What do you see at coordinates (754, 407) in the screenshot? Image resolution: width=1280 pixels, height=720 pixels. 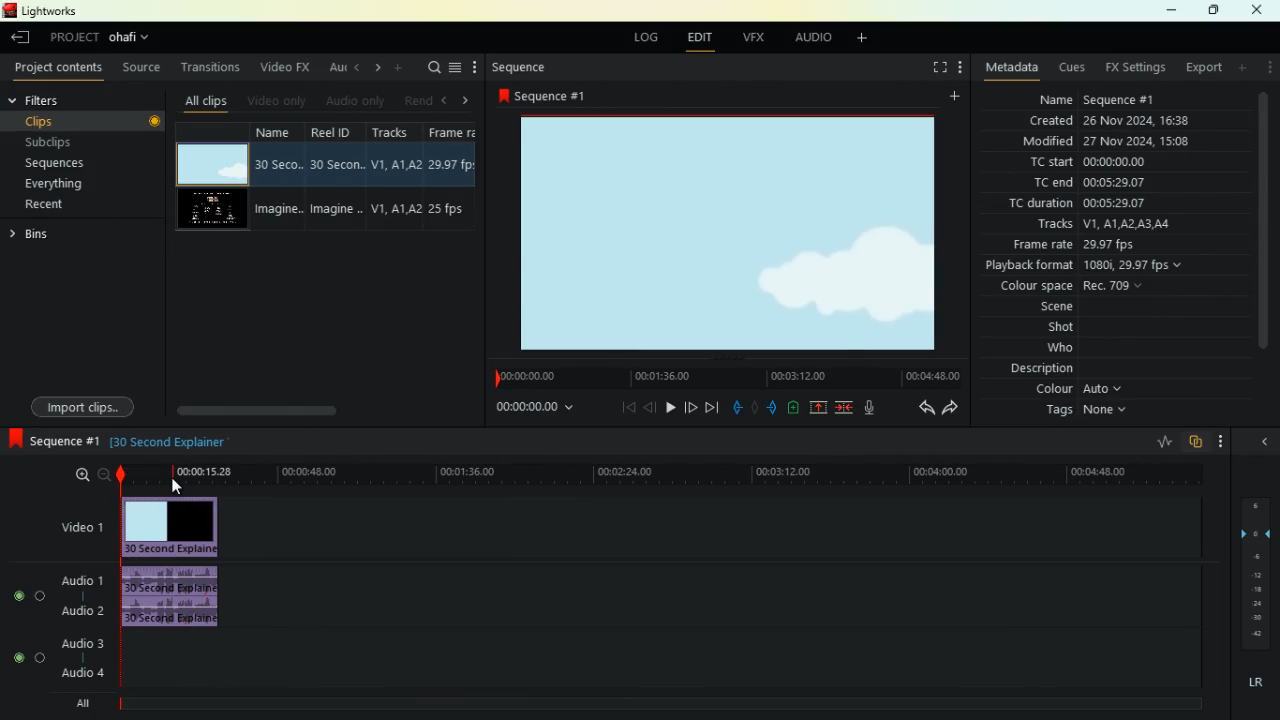 I see `hold` at bounding box center [754, 407].